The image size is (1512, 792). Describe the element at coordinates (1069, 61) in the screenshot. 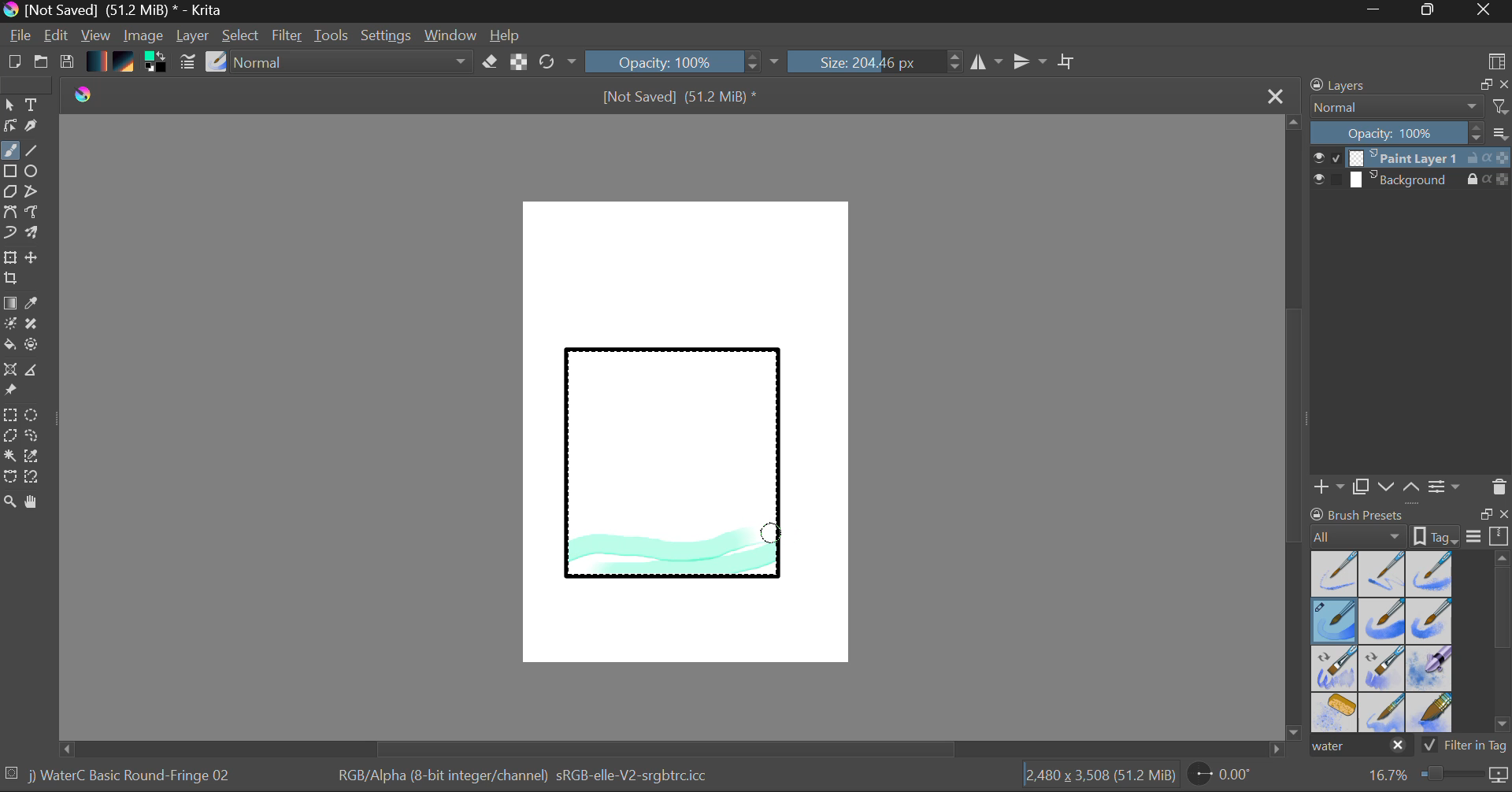

I see `Crop` at that location.